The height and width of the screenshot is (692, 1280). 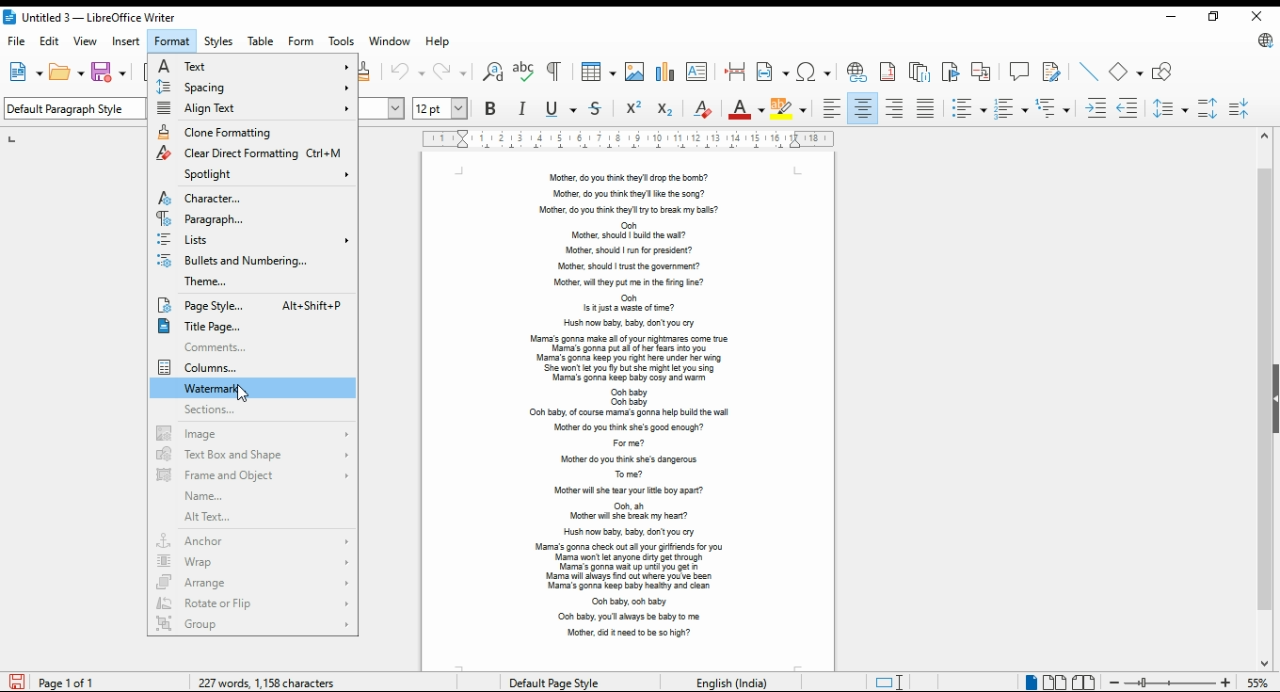 What do you see at coordinates (969, 109) in the screenshot?
I see `toggle unordered list` at bounding box center [969, 109].